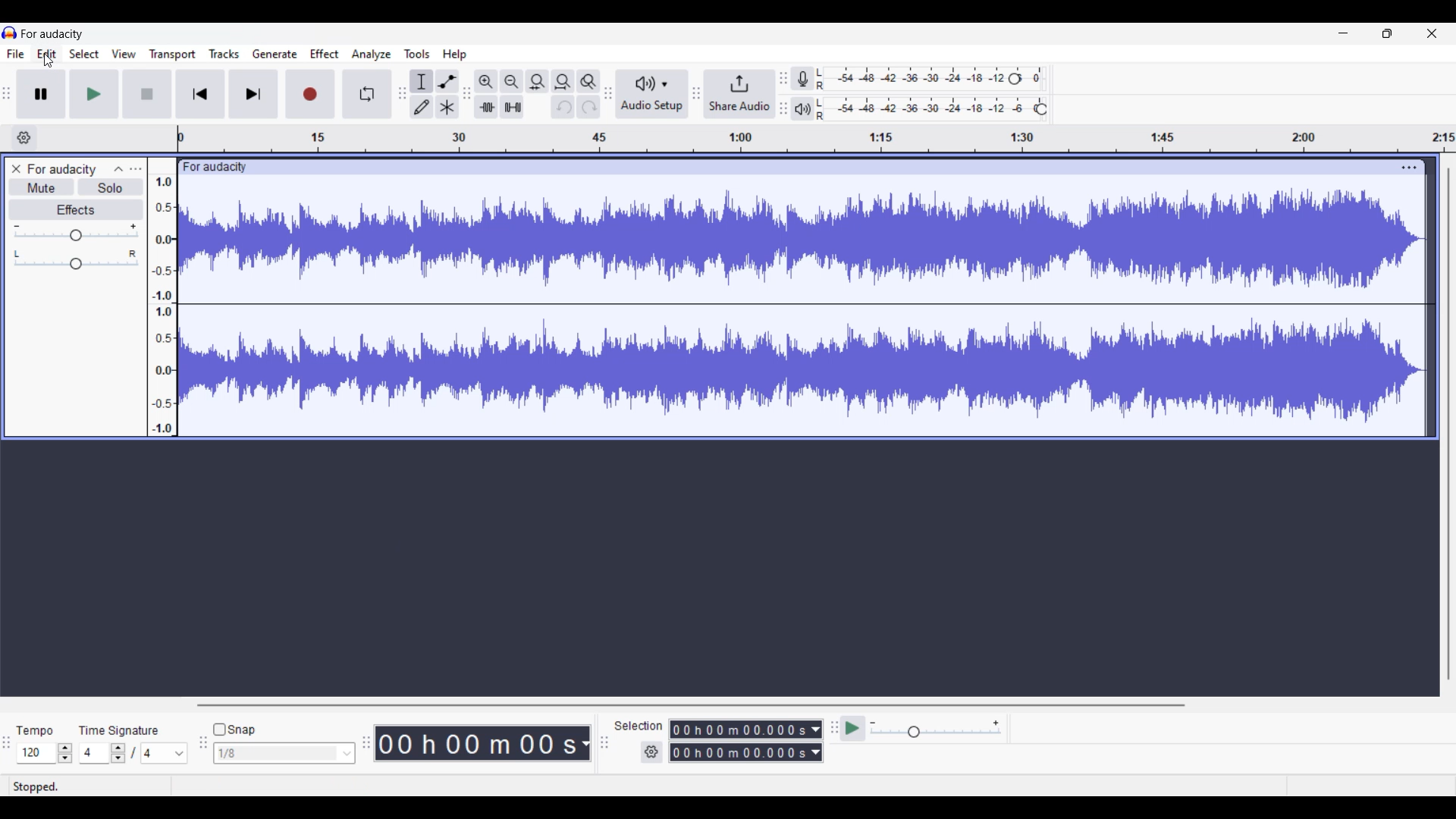 This screenshot has height=819, width=1456. What do you see at coordinates (802, 307) in the screenshot?
I see `Current track` at bounding box center [802, 307].